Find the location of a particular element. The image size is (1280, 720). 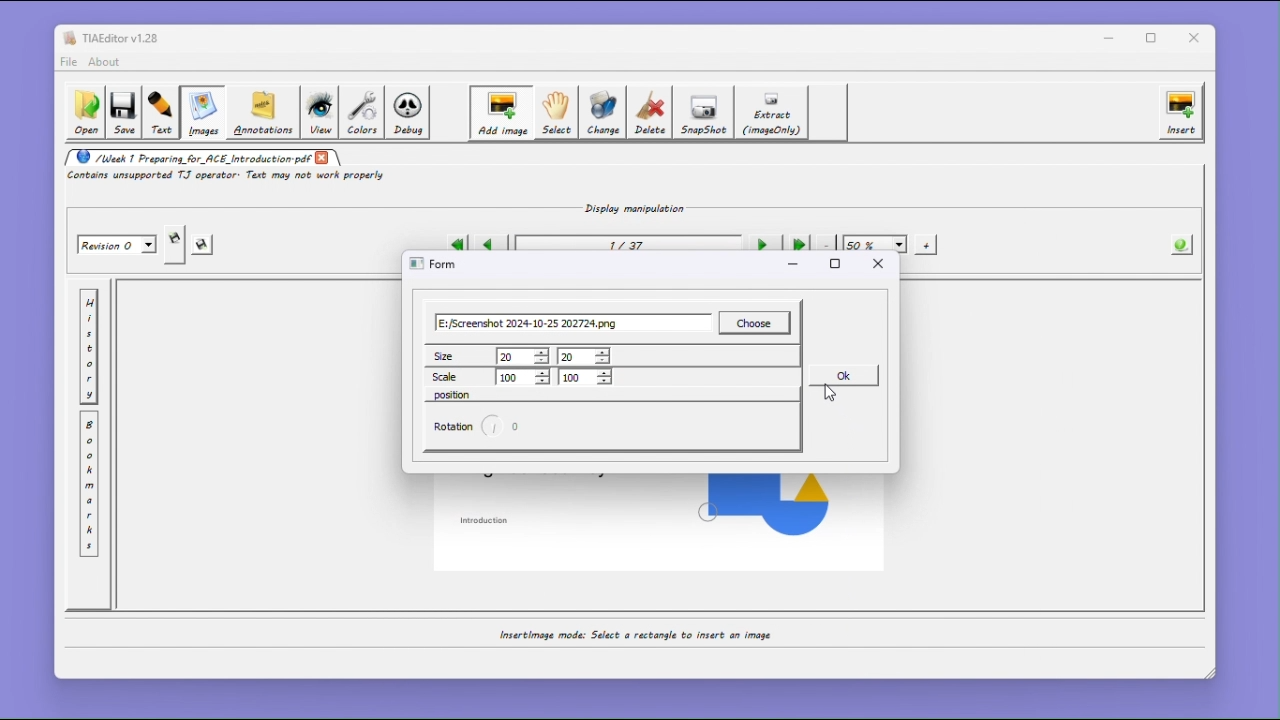

position is located at coordinates (453, 395).